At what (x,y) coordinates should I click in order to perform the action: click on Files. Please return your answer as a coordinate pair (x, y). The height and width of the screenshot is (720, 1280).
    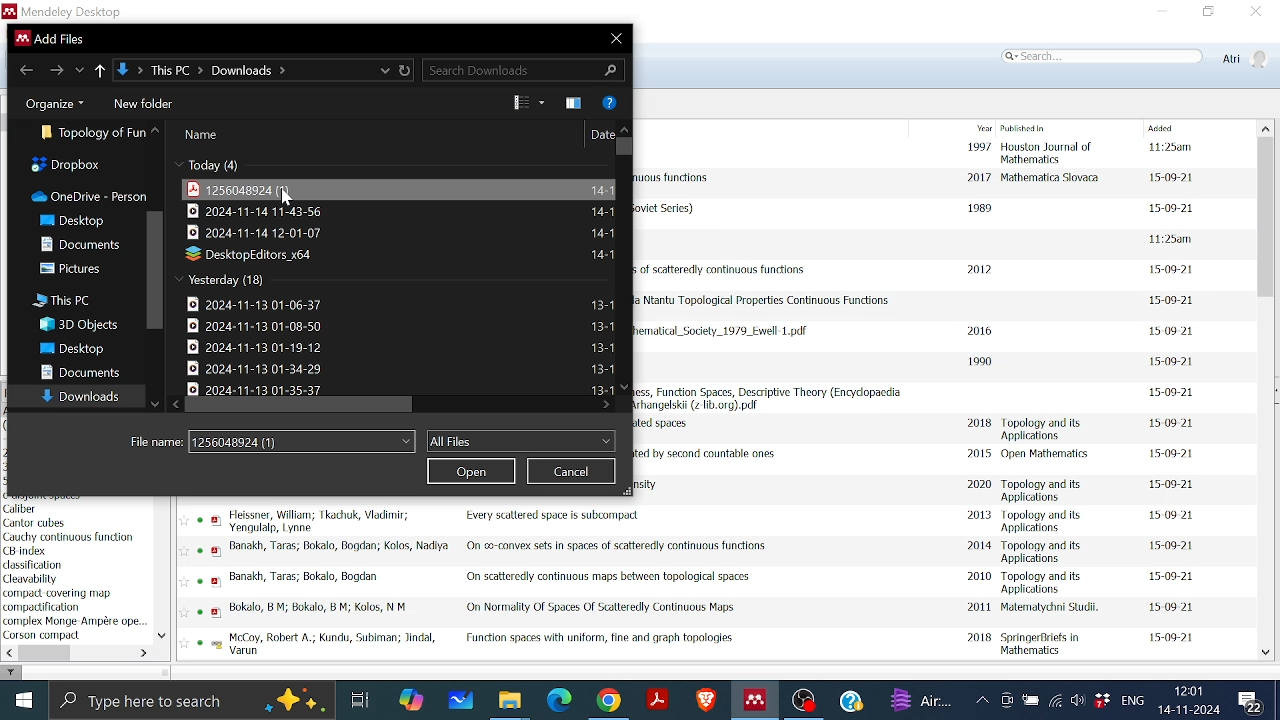
    Looking at the image, I should click on (511, 700).